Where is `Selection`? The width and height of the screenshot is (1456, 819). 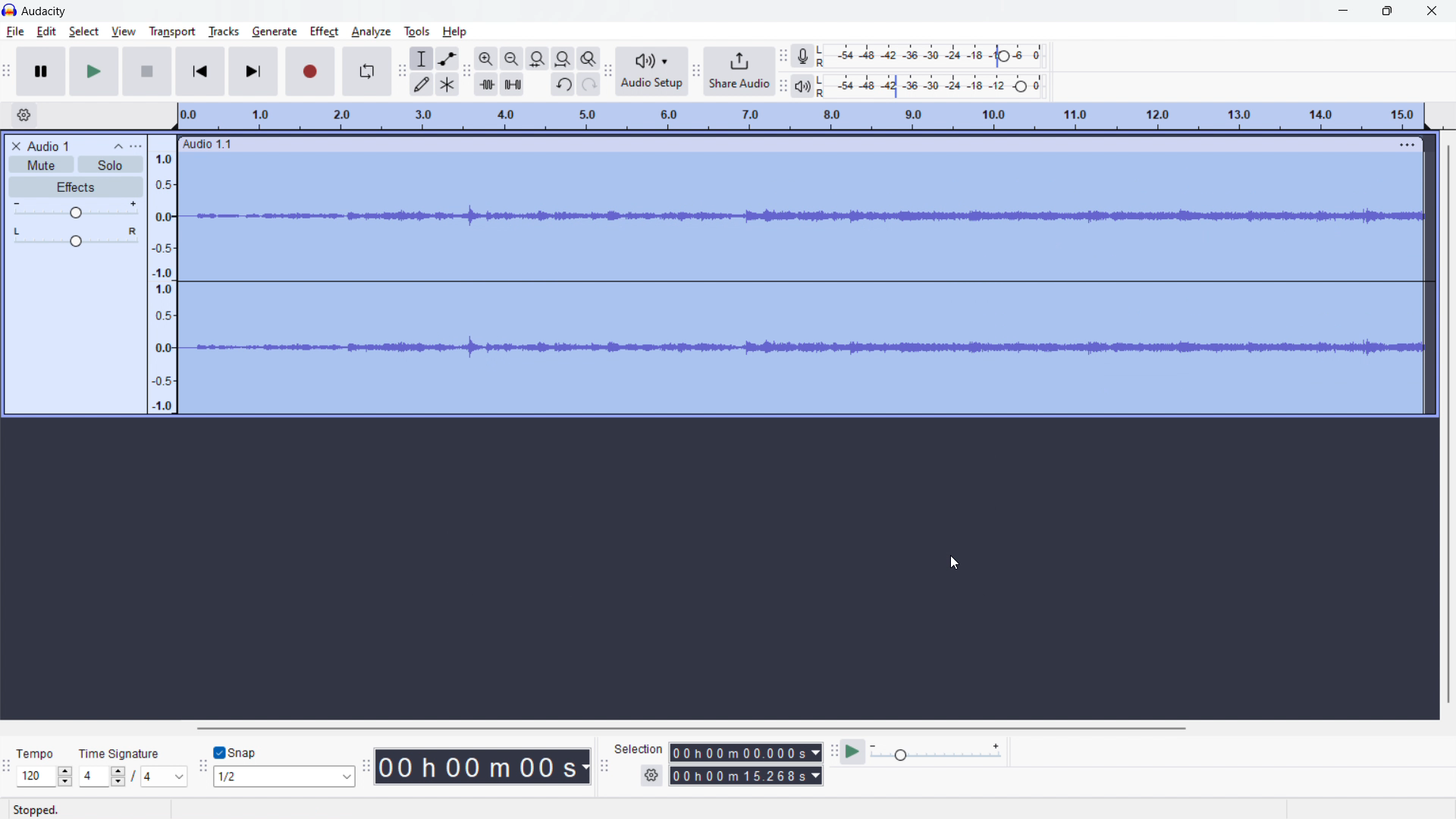 Selection is located at coordinates (639, 747).